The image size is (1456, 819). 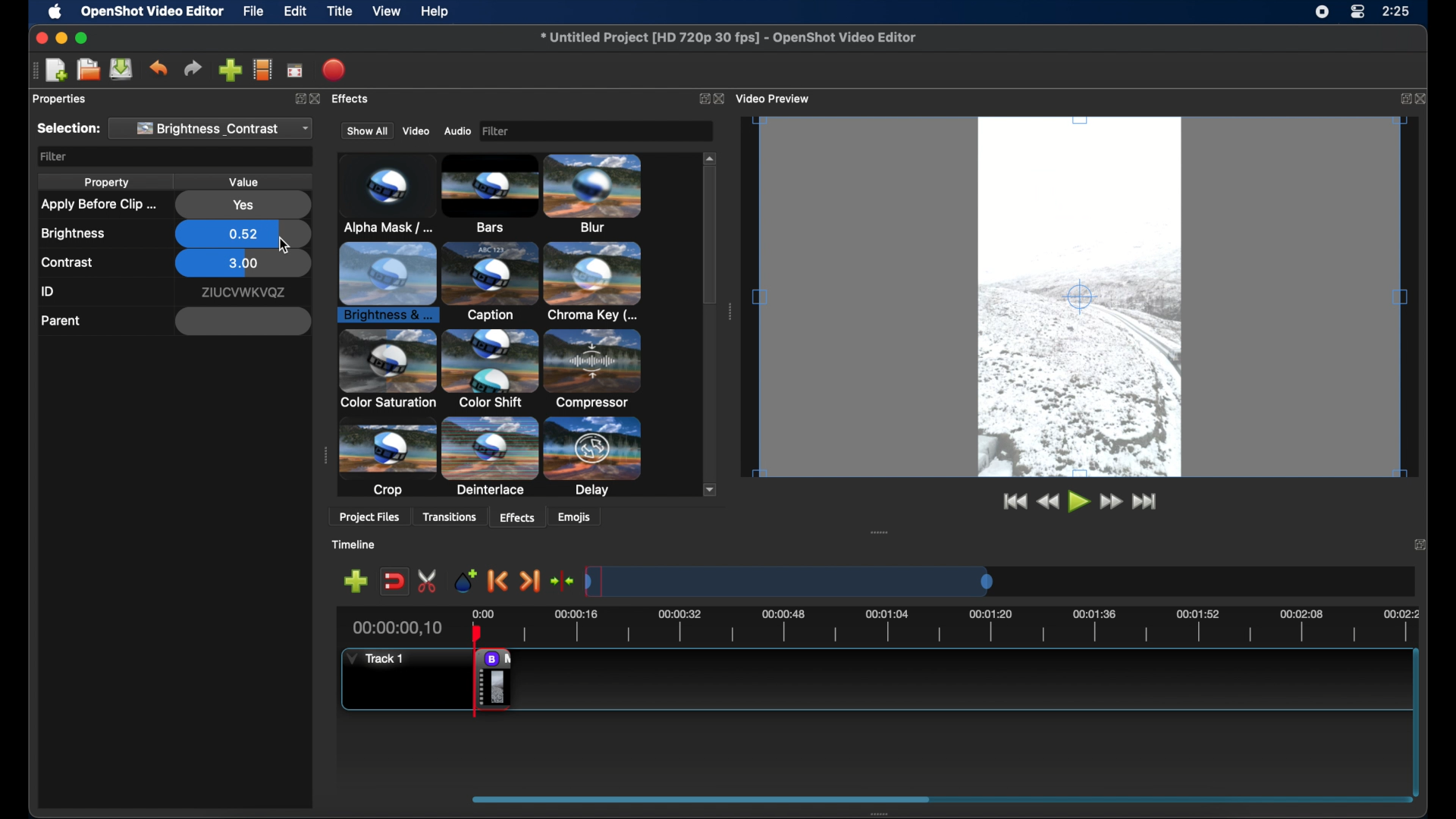 I want to click on new project, so click(x=56, y=69).